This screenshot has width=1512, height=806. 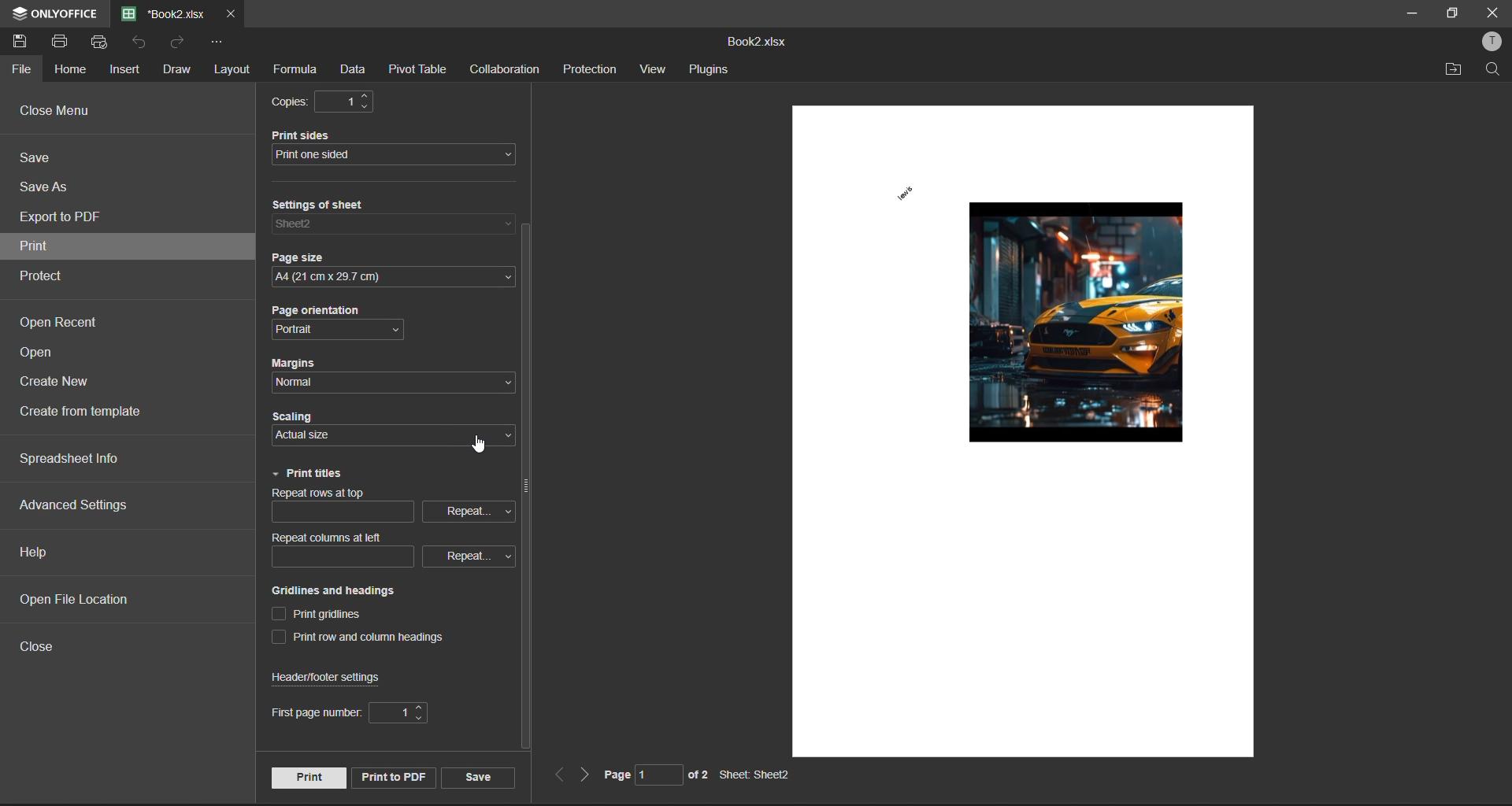 What do you see at coordinates (758, 43) in the screenshot?
I see `file name` at bounding box center [758, 43].